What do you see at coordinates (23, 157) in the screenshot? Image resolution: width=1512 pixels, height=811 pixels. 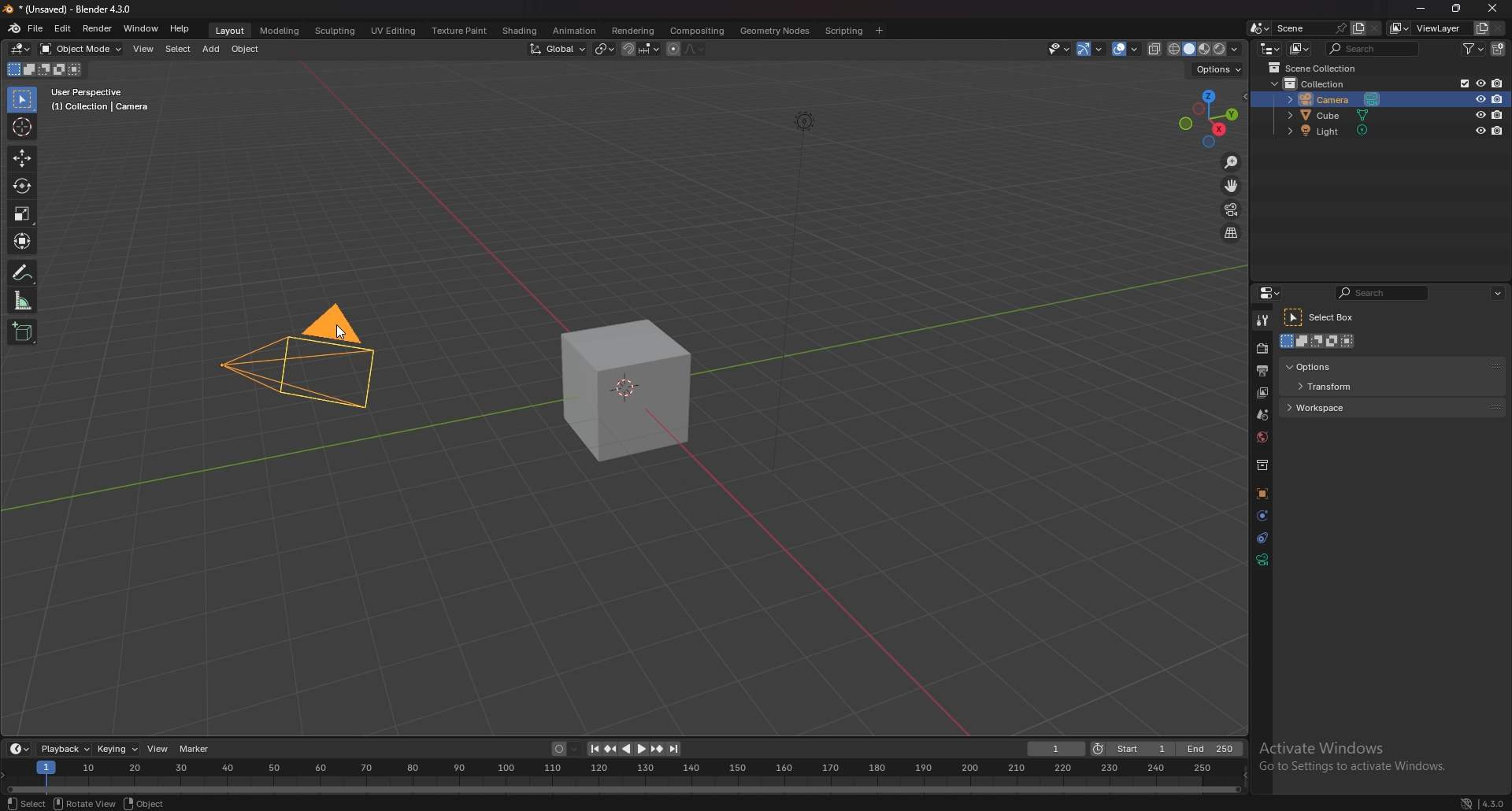 I see `move` at bounding box center [23, 157].